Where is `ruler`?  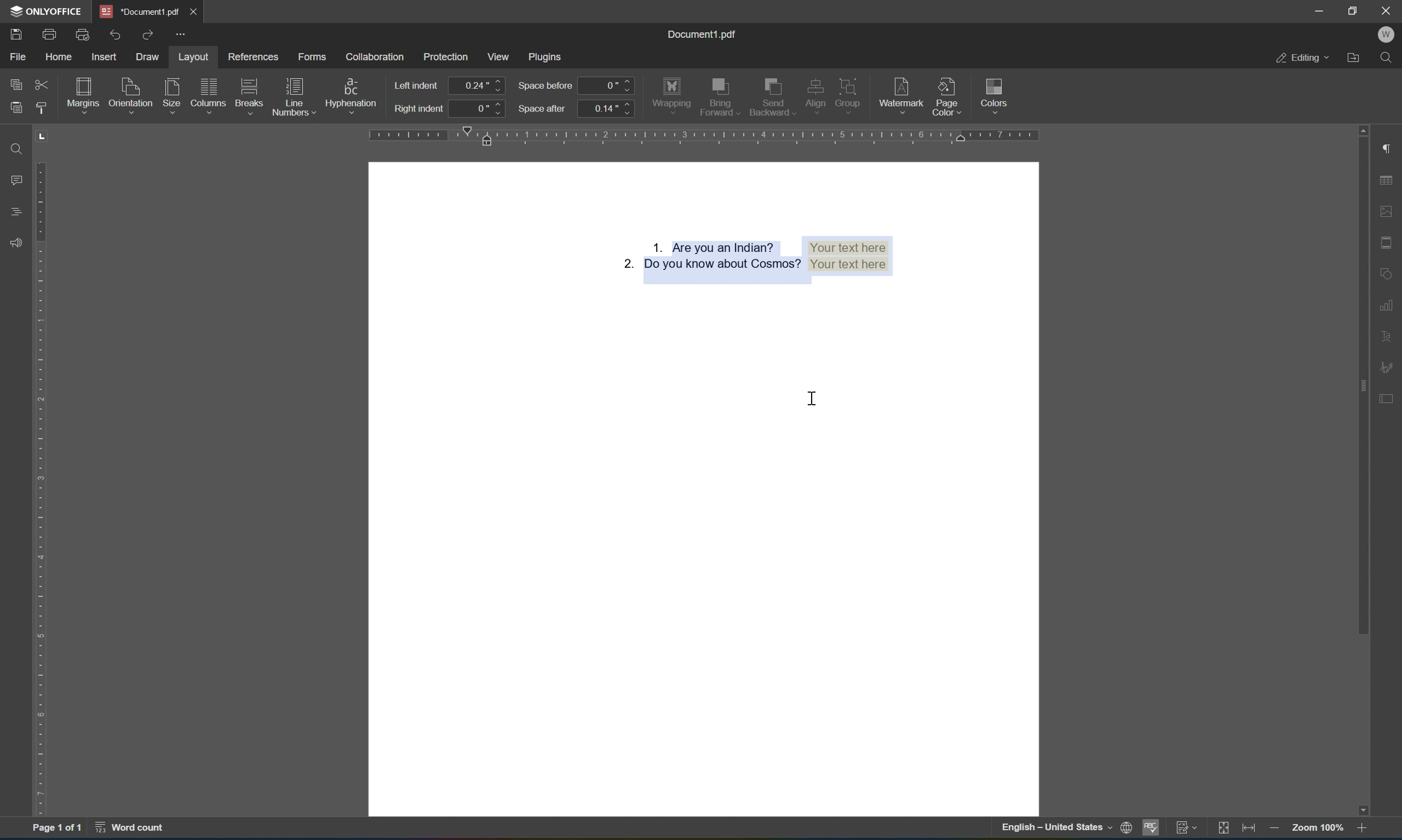
ruler is located at coordinates (701, 136).